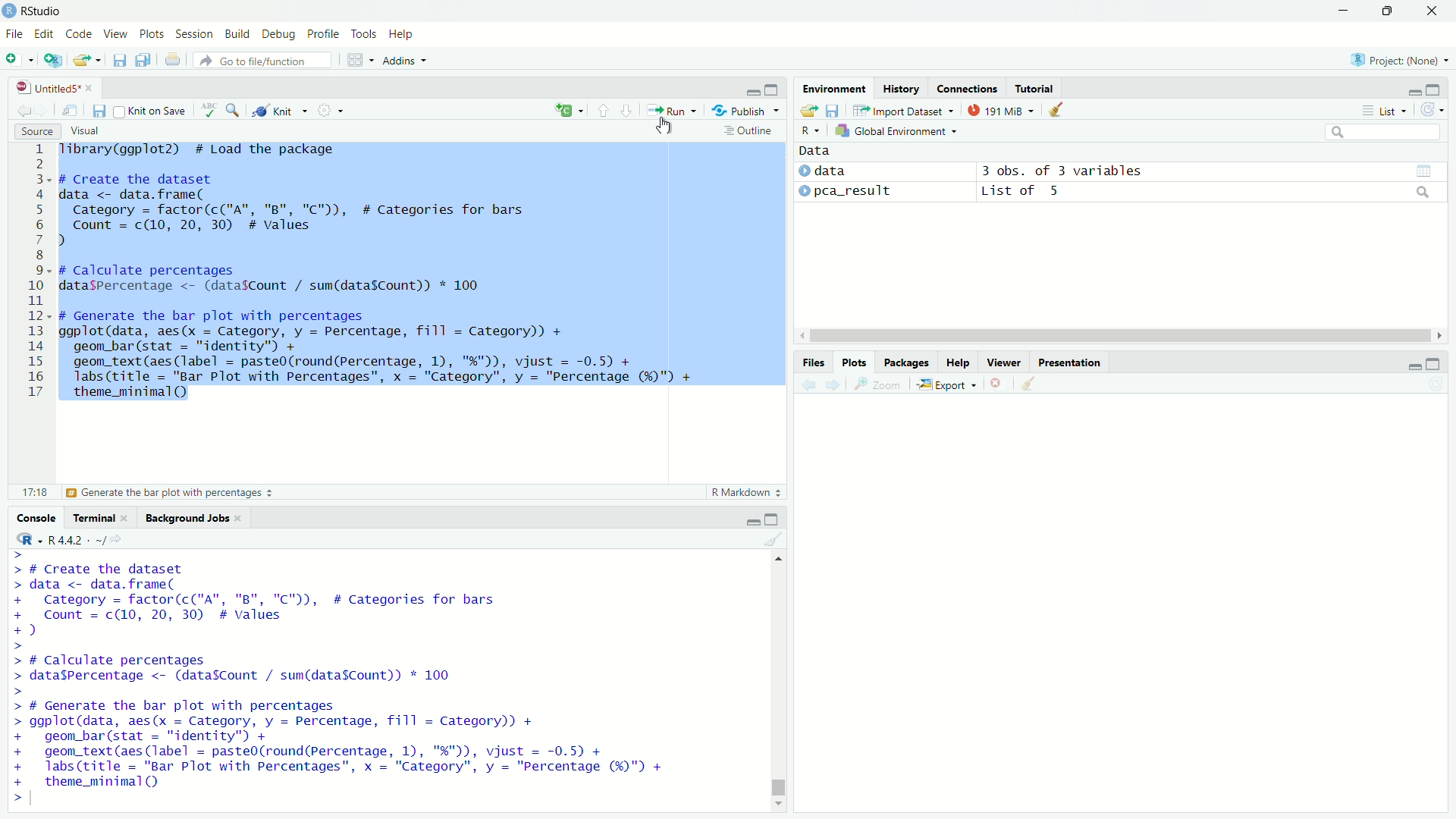  What do you see at coordinates (1058, 110) in the screenshot?
I see `clear all objects` at bounding box center [1058, 110].